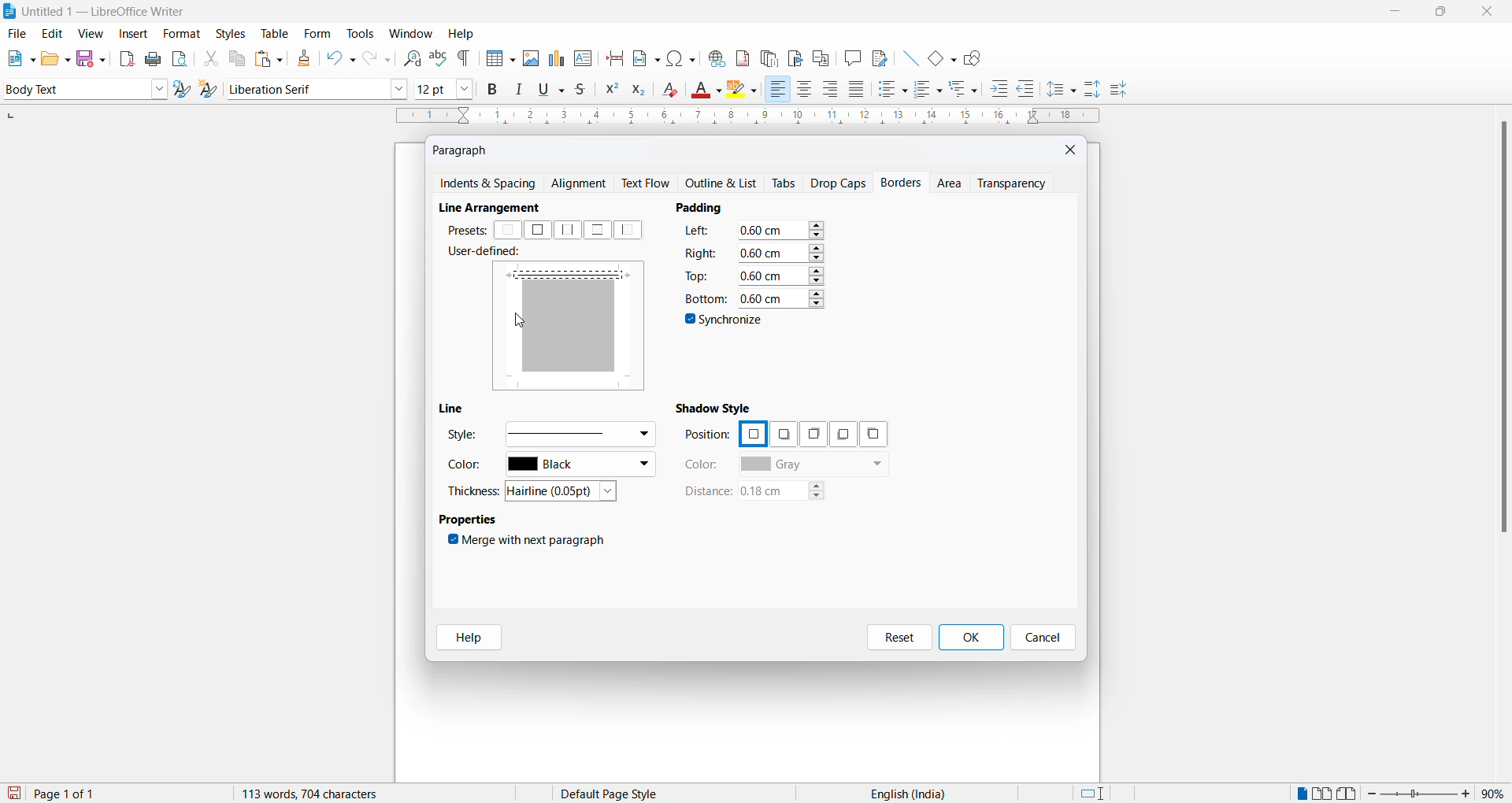  What do you see at coordinates (376, 58) in the screenshot?
I see `redo` at bounding box center [376, 58].